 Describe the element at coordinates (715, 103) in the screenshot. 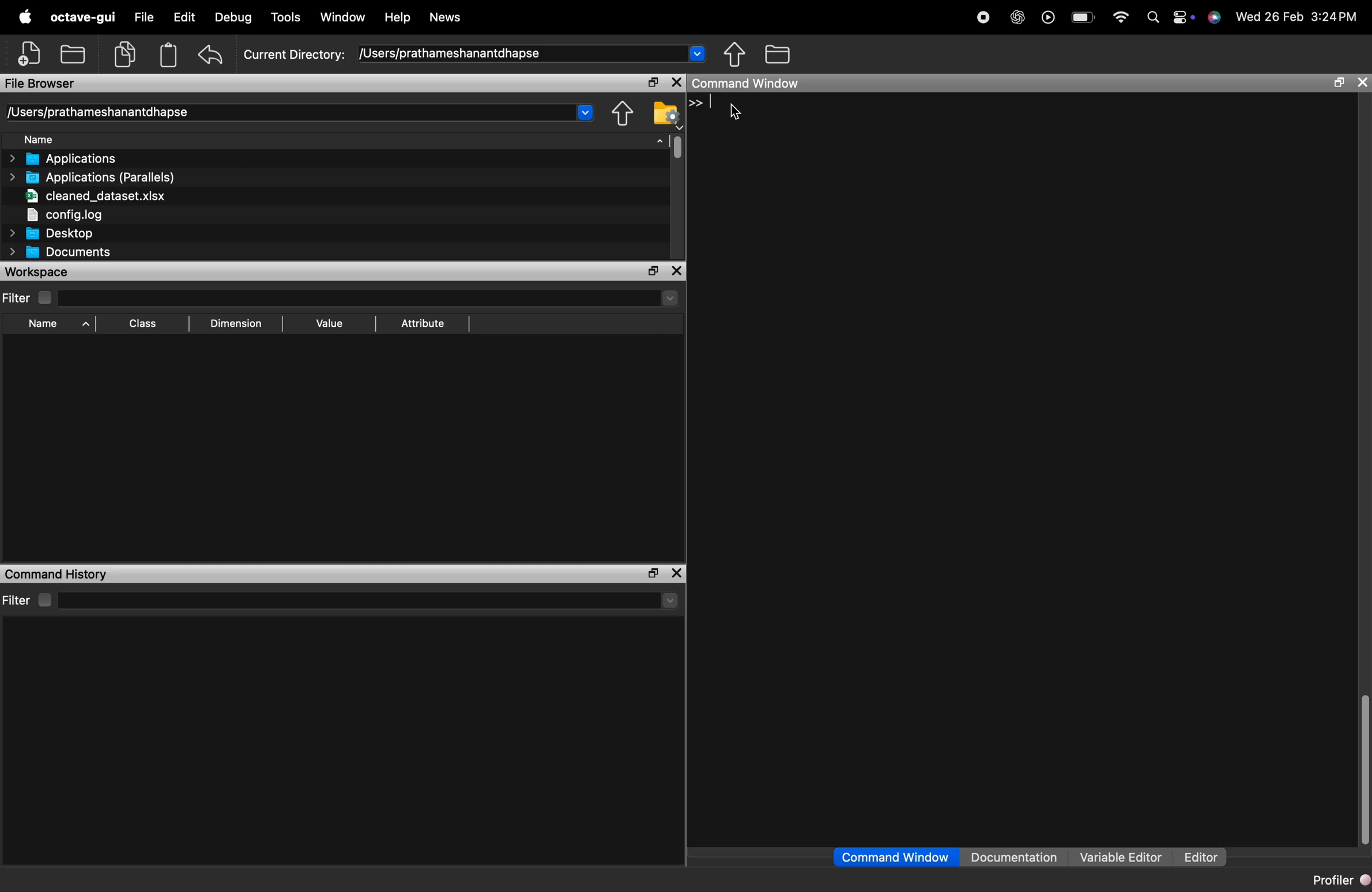

I see `Tap text` at that location.